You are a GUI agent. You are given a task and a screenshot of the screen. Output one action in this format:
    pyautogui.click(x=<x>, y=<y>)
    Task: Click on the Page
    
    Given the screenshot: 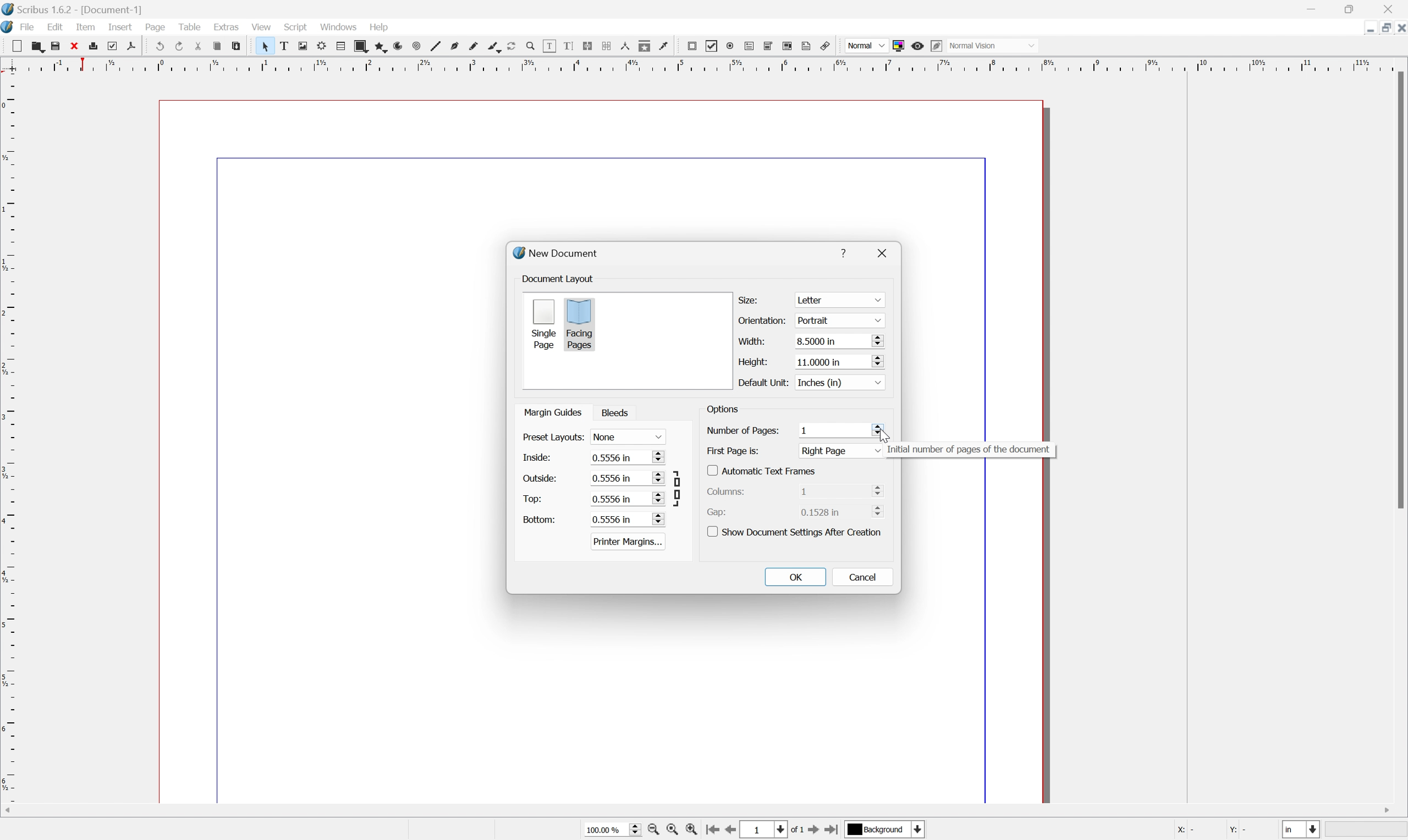 What is the action you would take?
    pyautogui.click(x=157, y=29)
    